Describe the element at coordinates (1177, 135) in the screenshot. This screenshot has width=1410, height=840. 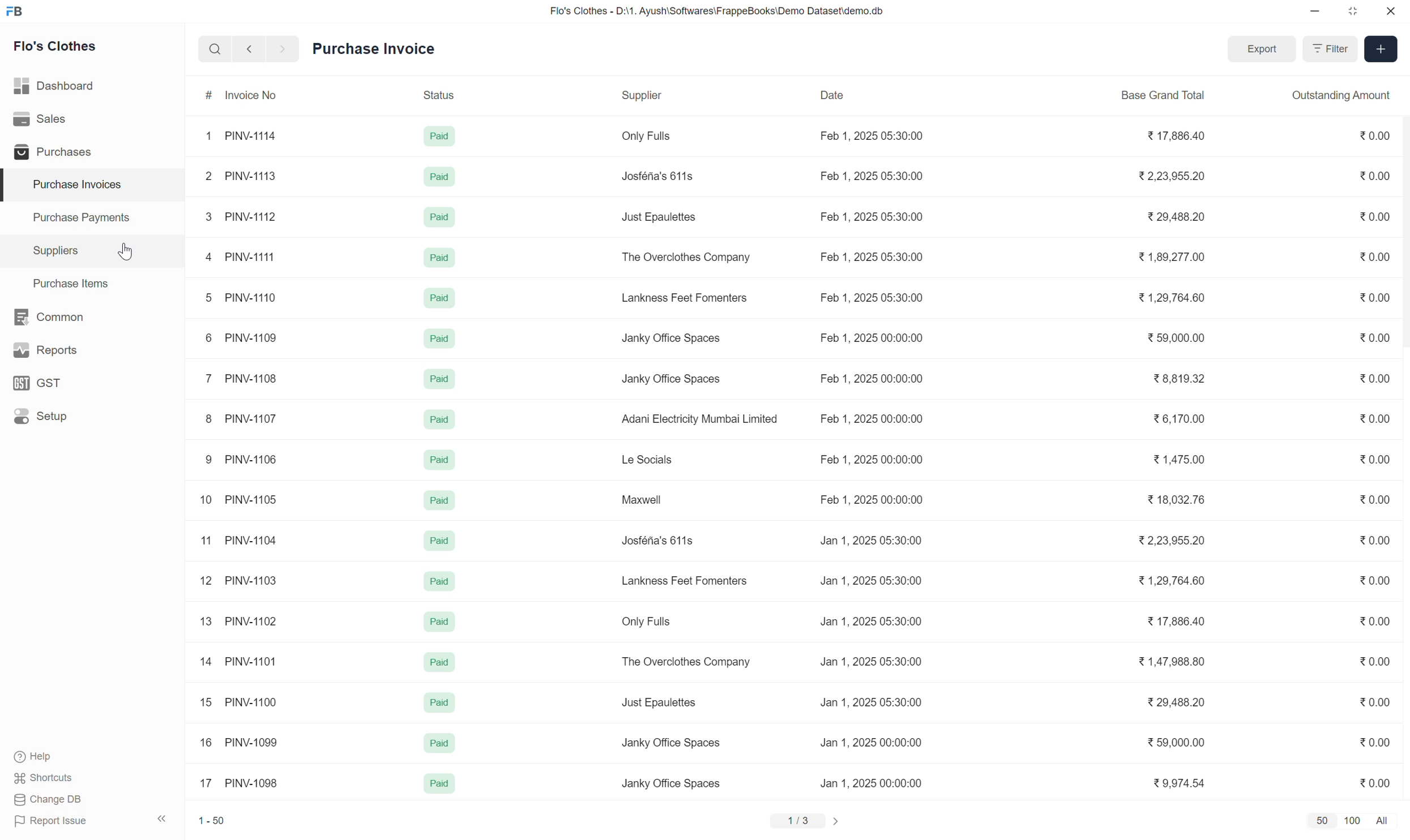
I see `17,886.40` at that location.